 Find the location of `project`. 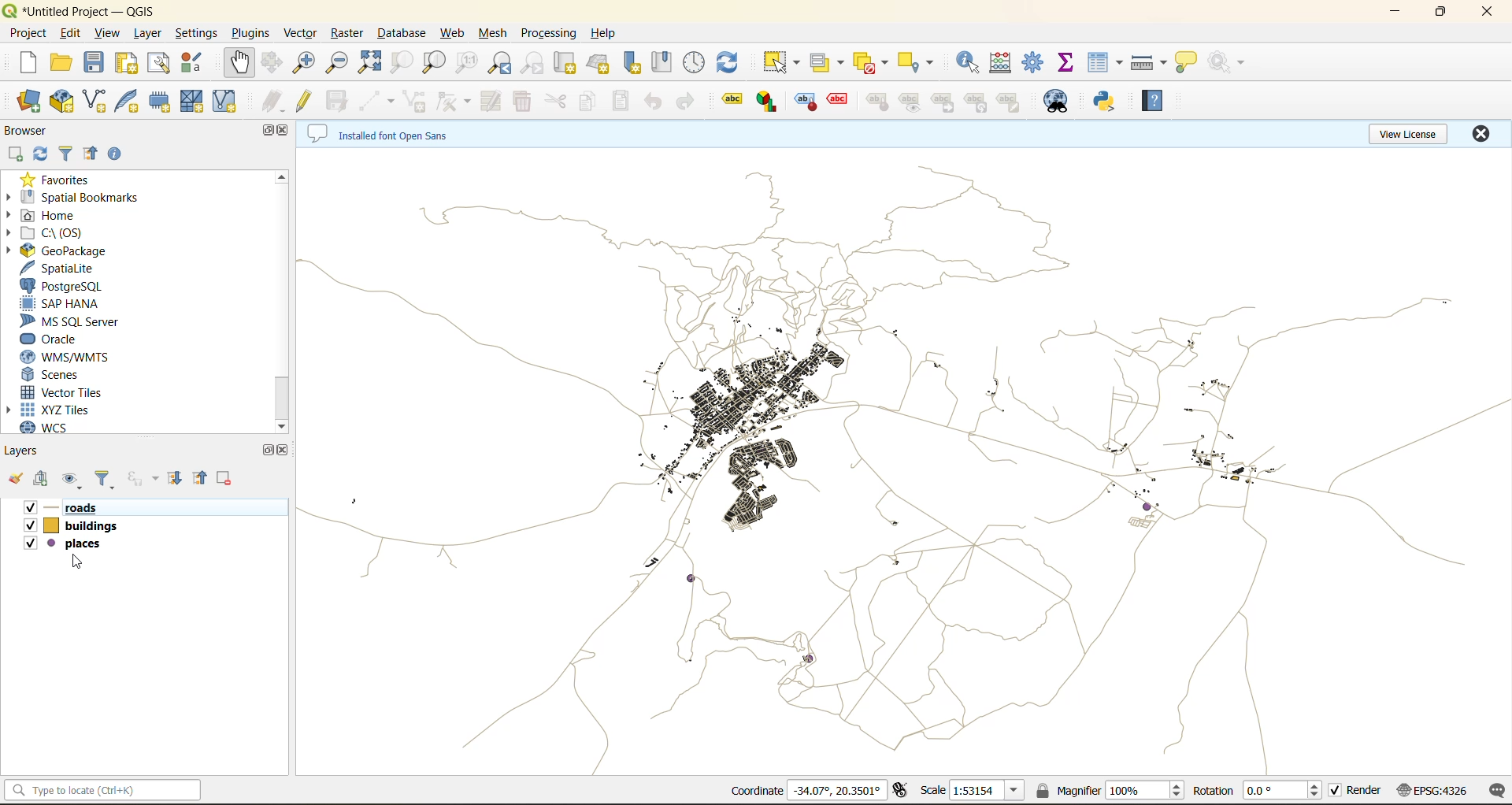

project is located at coordinates (28, 34).